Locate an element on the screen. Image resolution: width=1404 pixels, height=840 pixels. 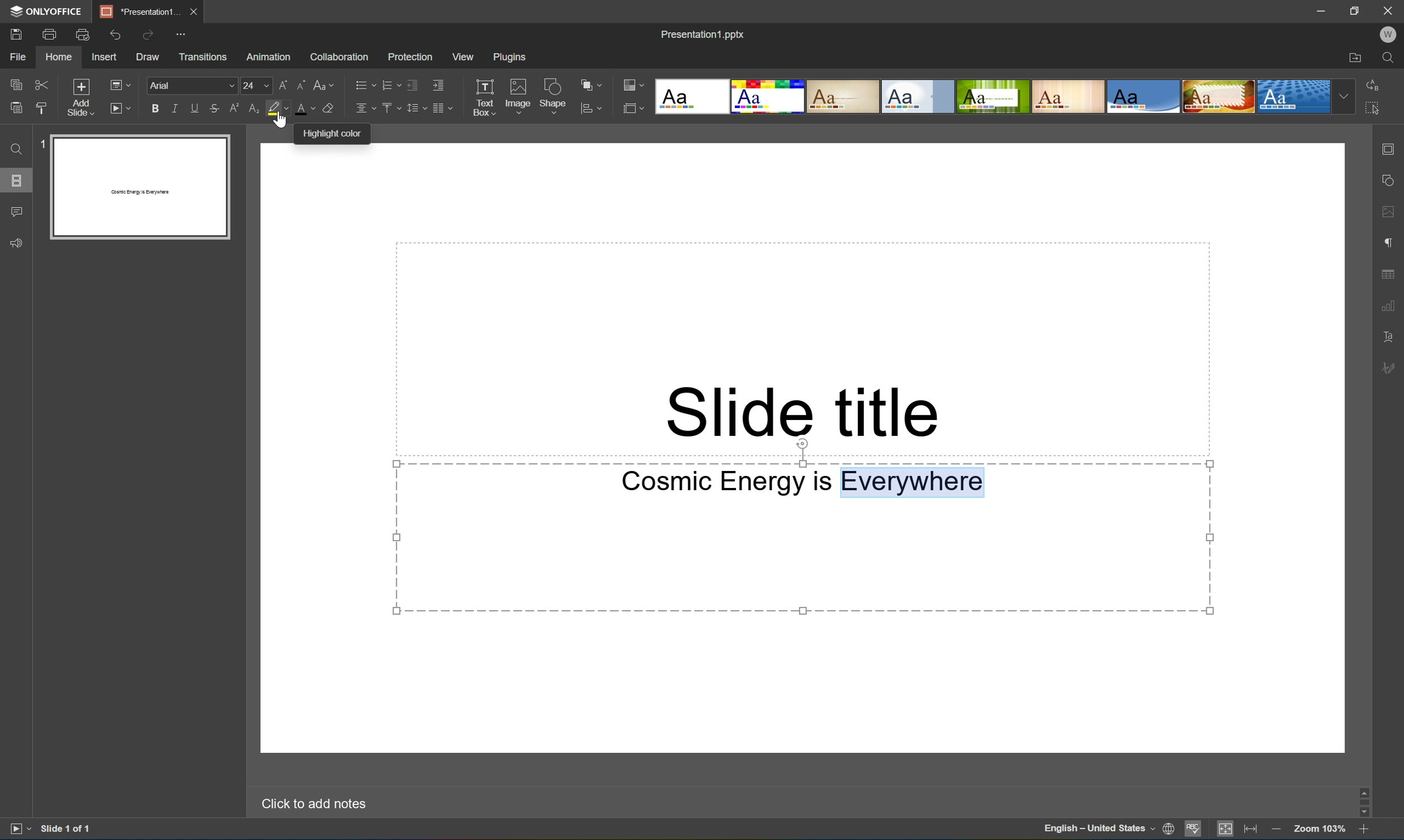
Select slide layout is located at coordinates (633, 108).